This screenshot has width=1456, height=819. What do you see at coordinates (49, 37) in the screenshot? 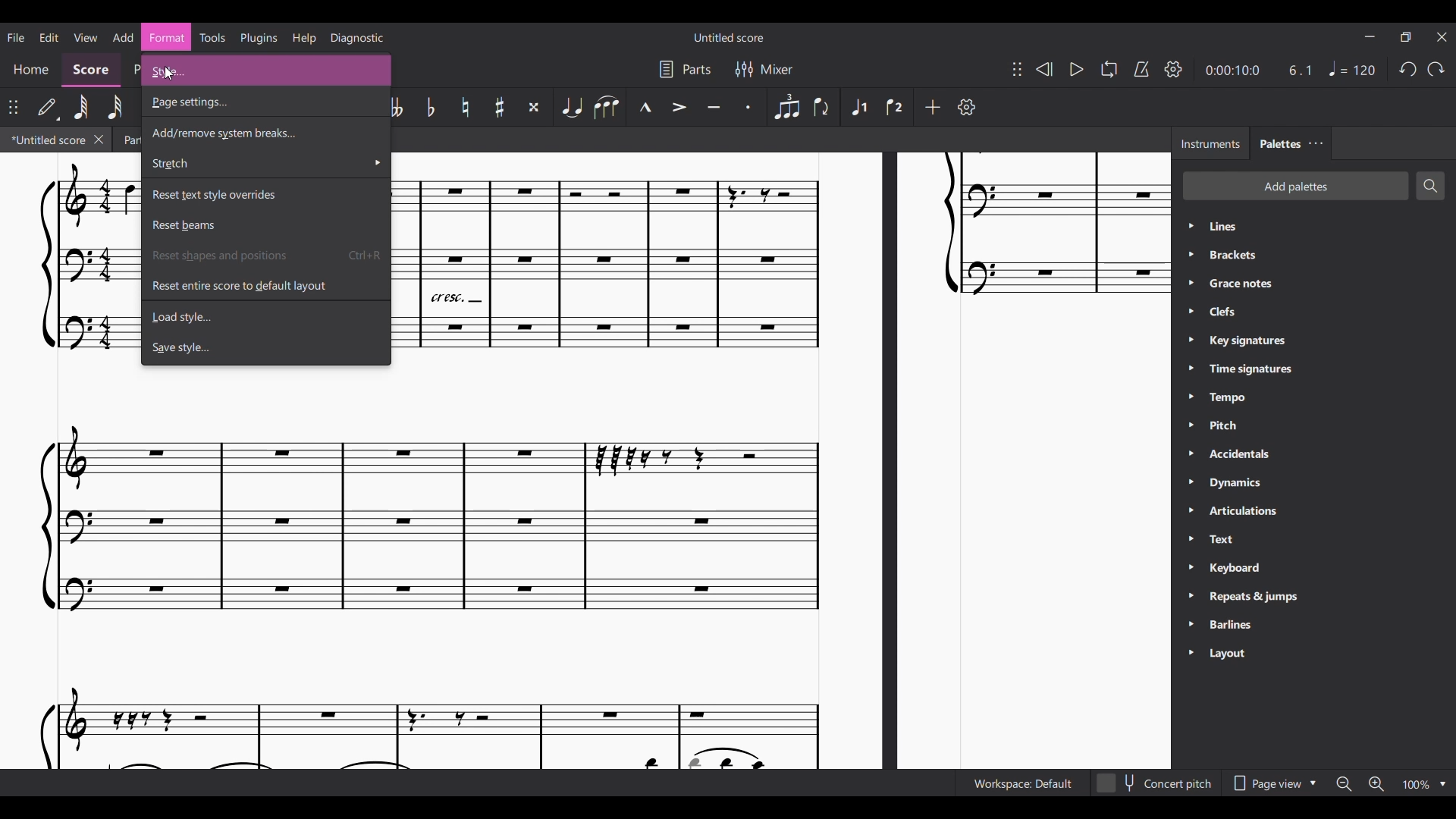
I see `Edit menu` at bounding box center [49, 37].